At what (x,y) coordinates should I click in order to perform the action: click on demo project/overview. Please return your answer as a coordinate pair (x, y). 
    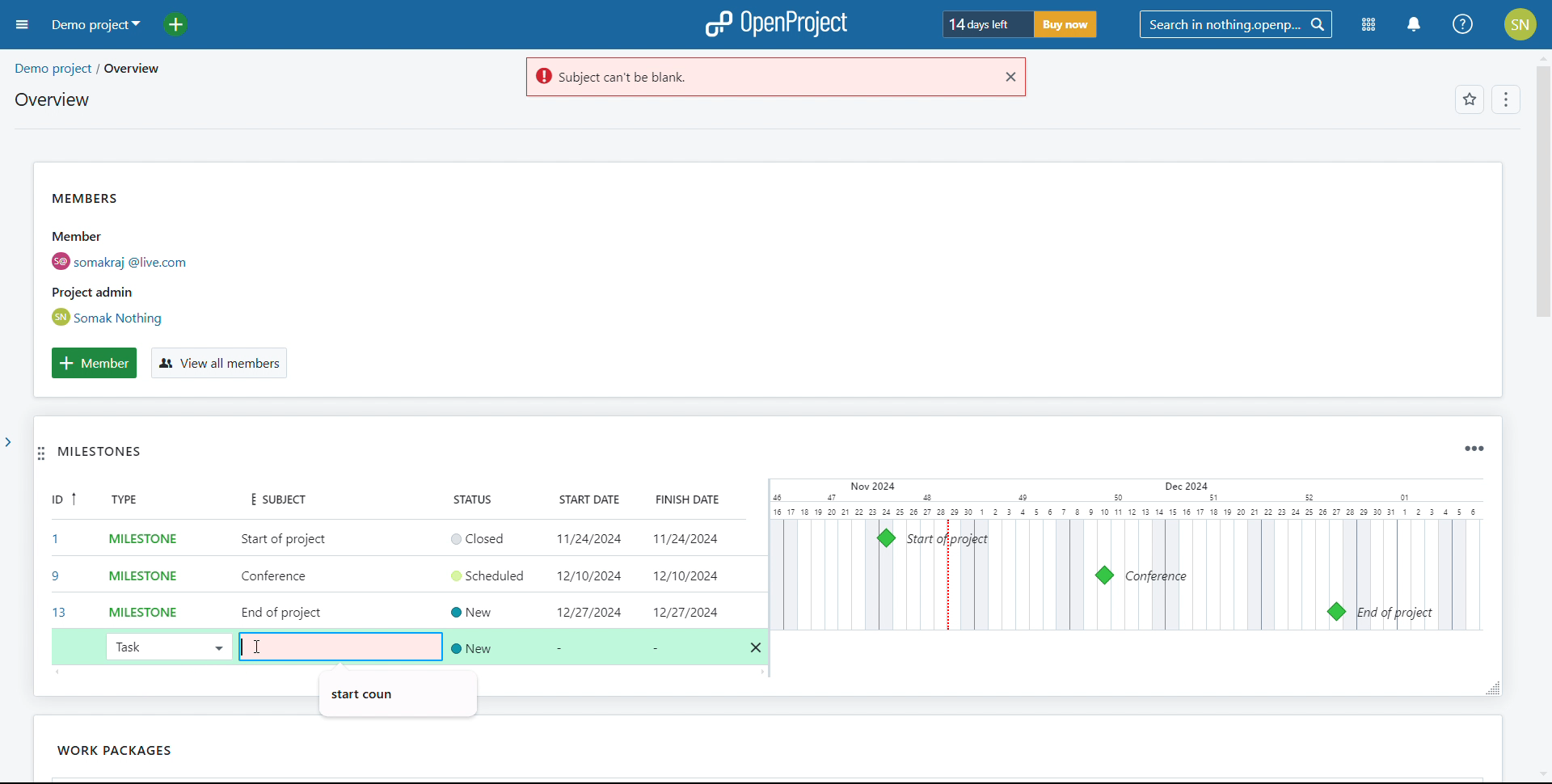
    Looking at the image, I should click on (86, 69).